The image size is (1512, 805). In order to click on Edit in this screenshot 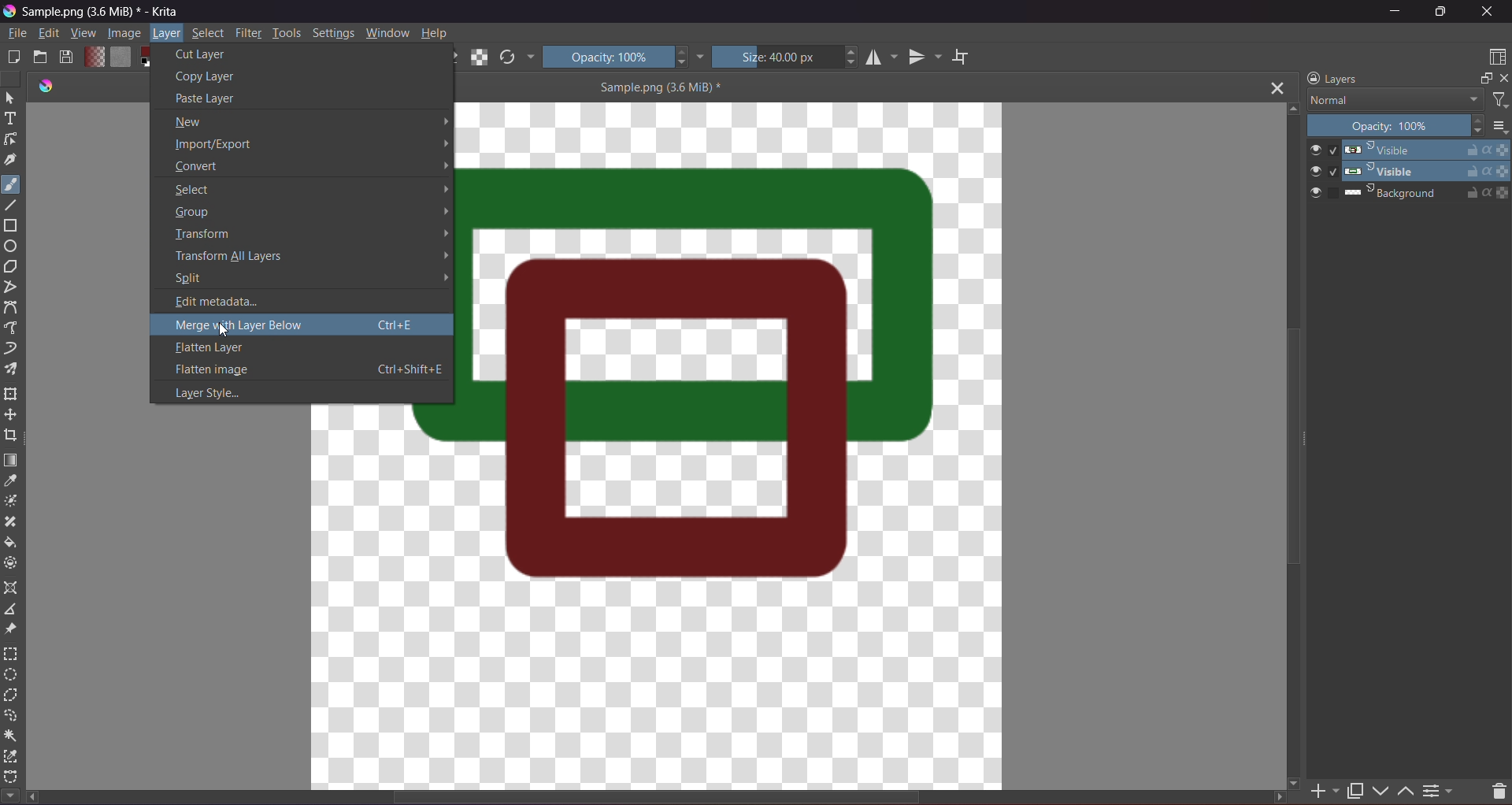, I will do `click(49, 35)`.